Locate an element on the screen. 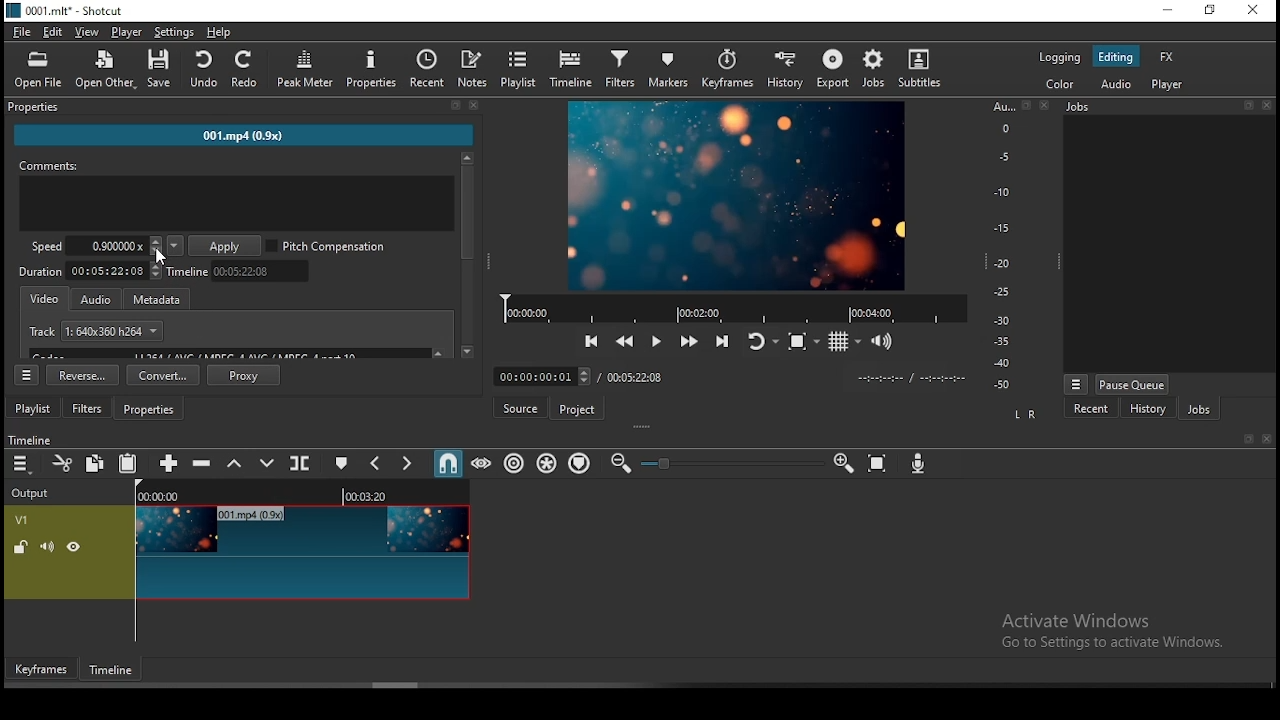  scroll bar is located at coordinates (395, 685).